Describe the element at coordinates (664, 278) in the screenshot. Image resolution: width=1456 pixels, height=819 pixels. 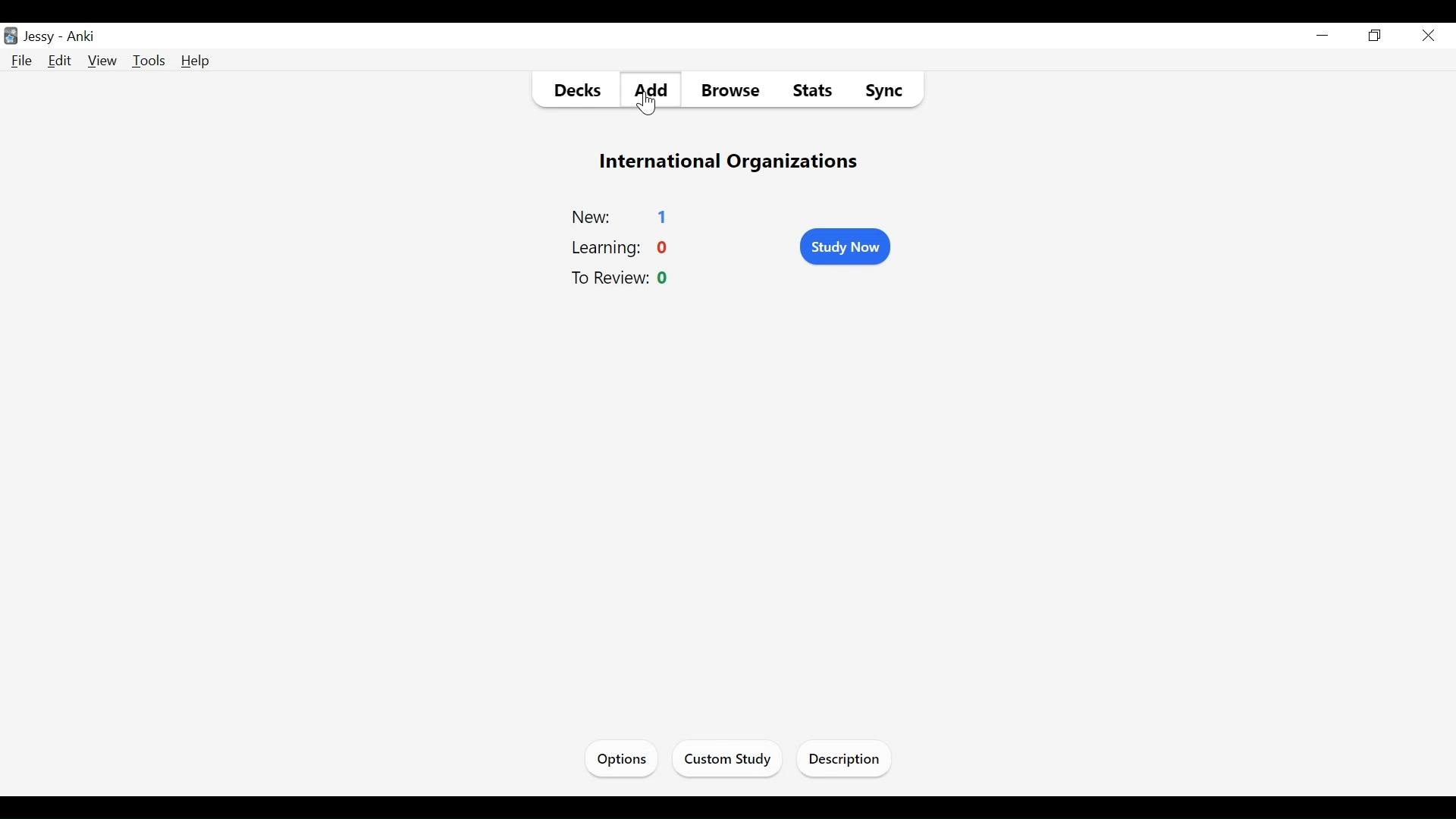
I see `To Review ` at that location.